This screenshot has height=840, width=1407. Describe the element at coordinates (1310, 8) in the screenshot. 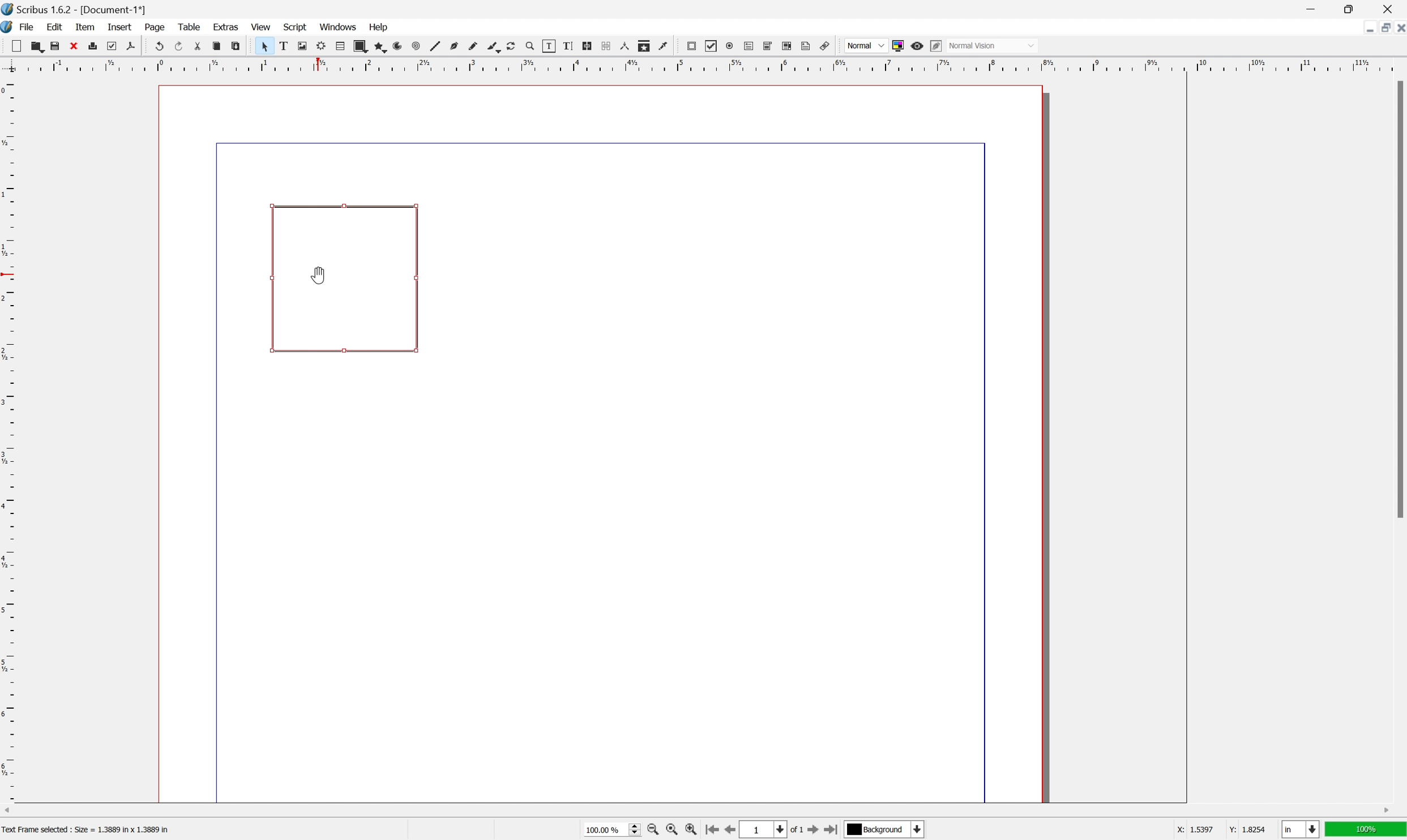

I see `minimize` at that location.